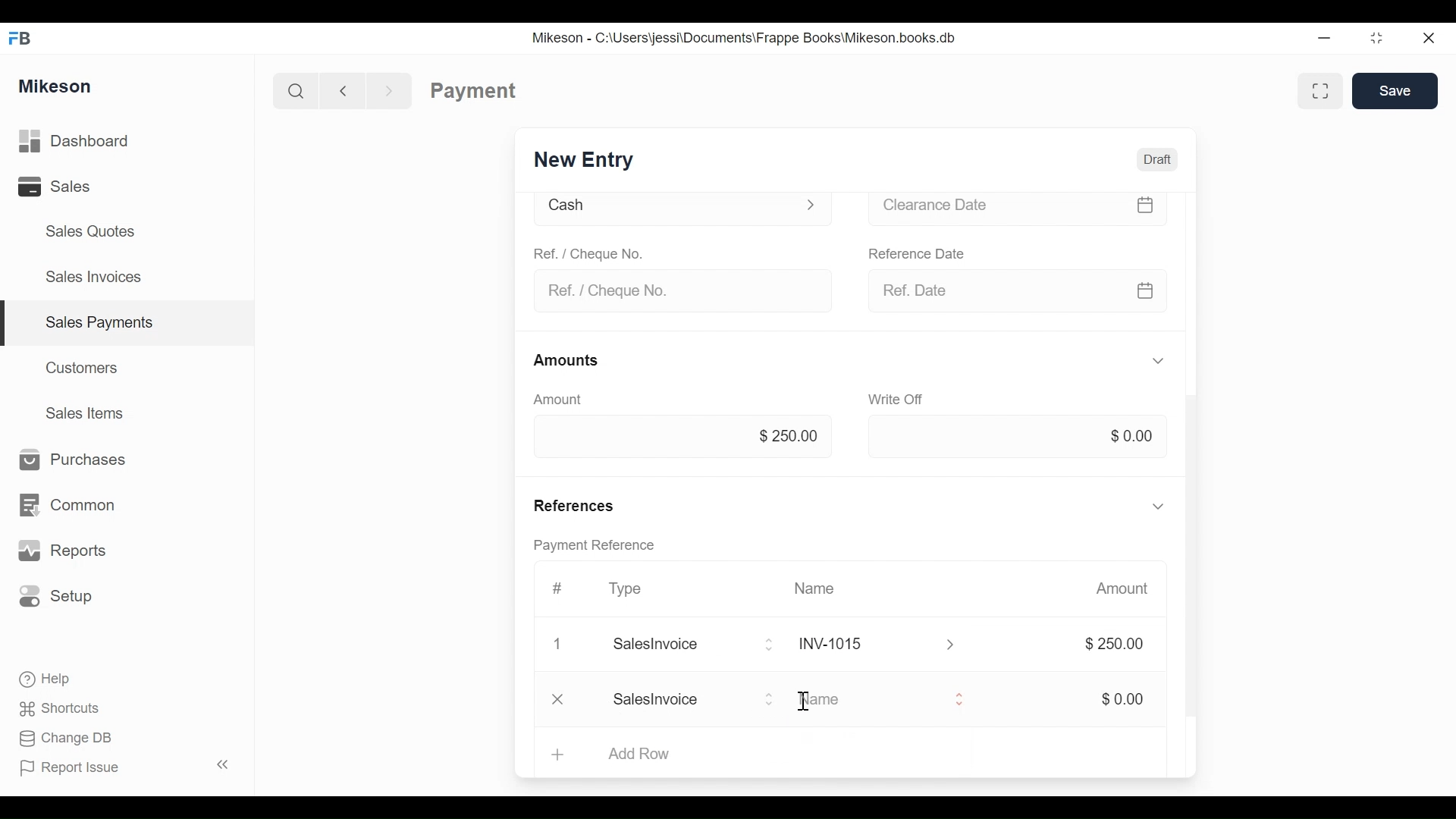  What do you see at coordinates (663, 701) in the screenshot?
I see `Add Row` at bounding box center [663, 701].